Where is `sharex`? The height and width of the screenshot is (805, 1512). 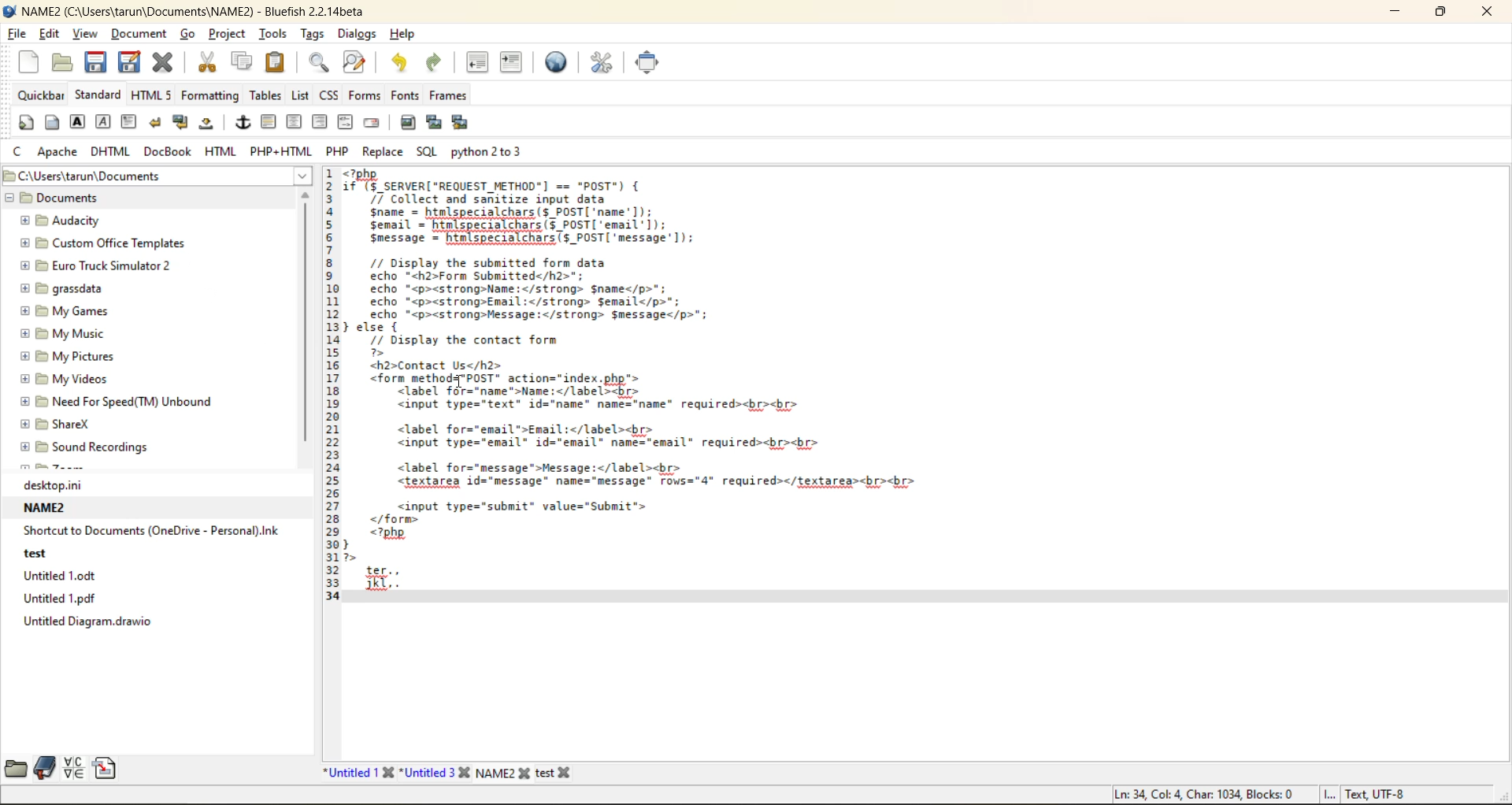 sharex is located at coordinates (56, 423).